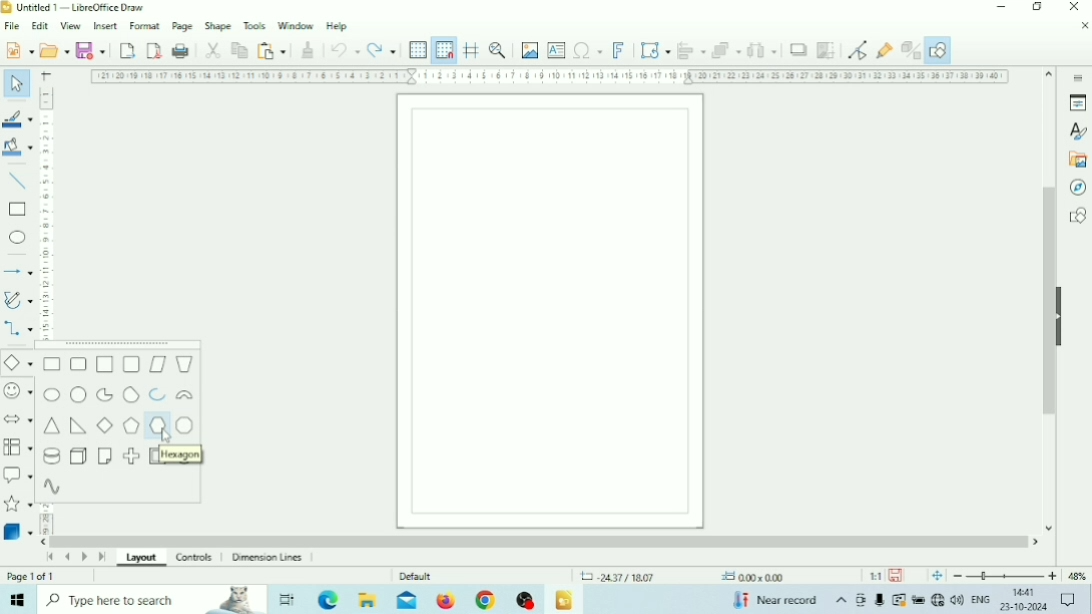 This screenshot has width=1092, height=614. What do you see at coordinates (762, 50) in the screenshot?
I see `Select at least three objects to distribute` at bounding box center [762, 50].